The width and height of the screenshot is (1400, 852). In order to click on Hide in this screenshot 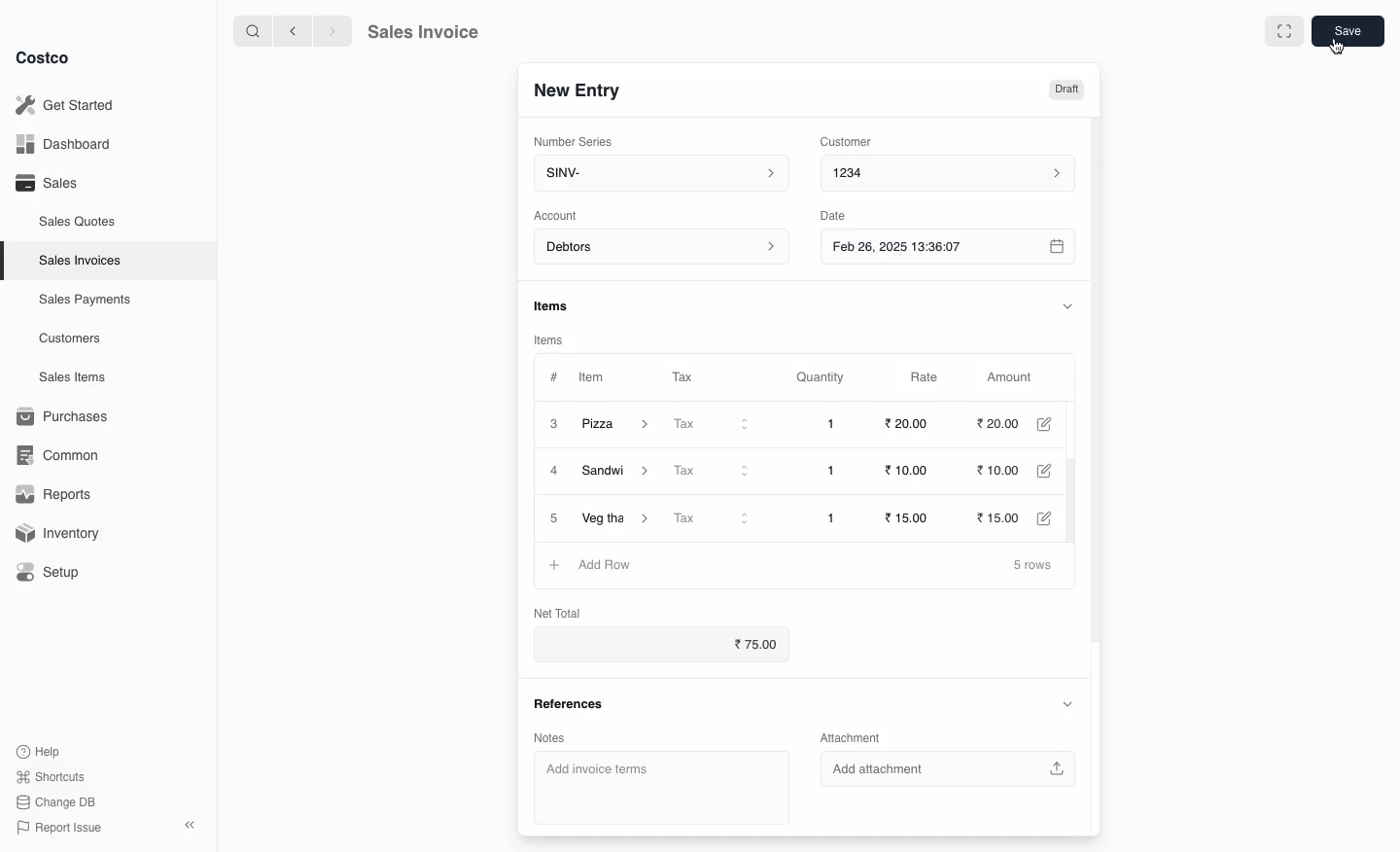, I will do `click(1067, 704)`.